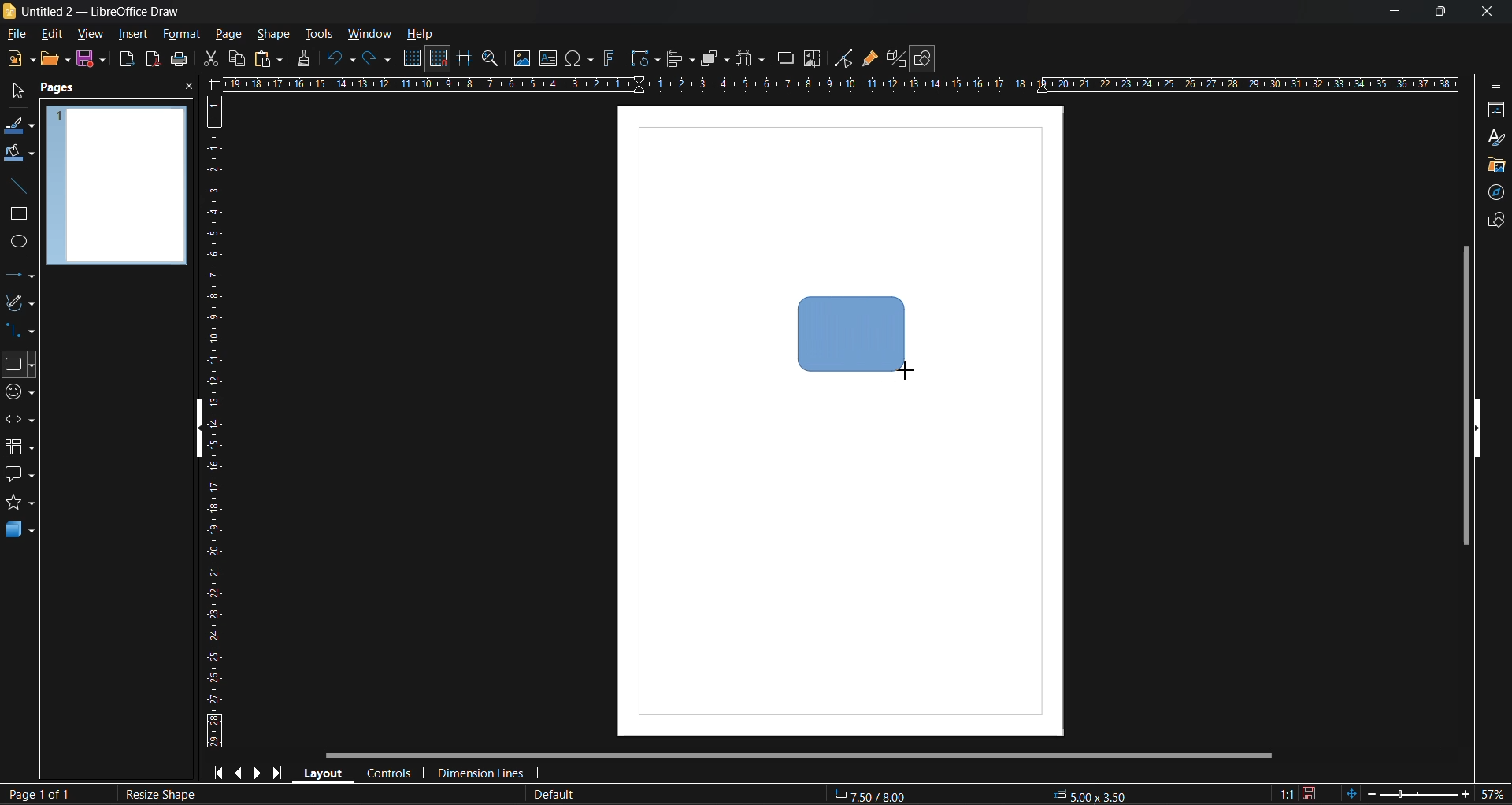 This screenshot has height=805, width=1512. What do you see at coordinates (20, 153) in the screenshot?
I see `fill color` at bounding box center [20, 153].